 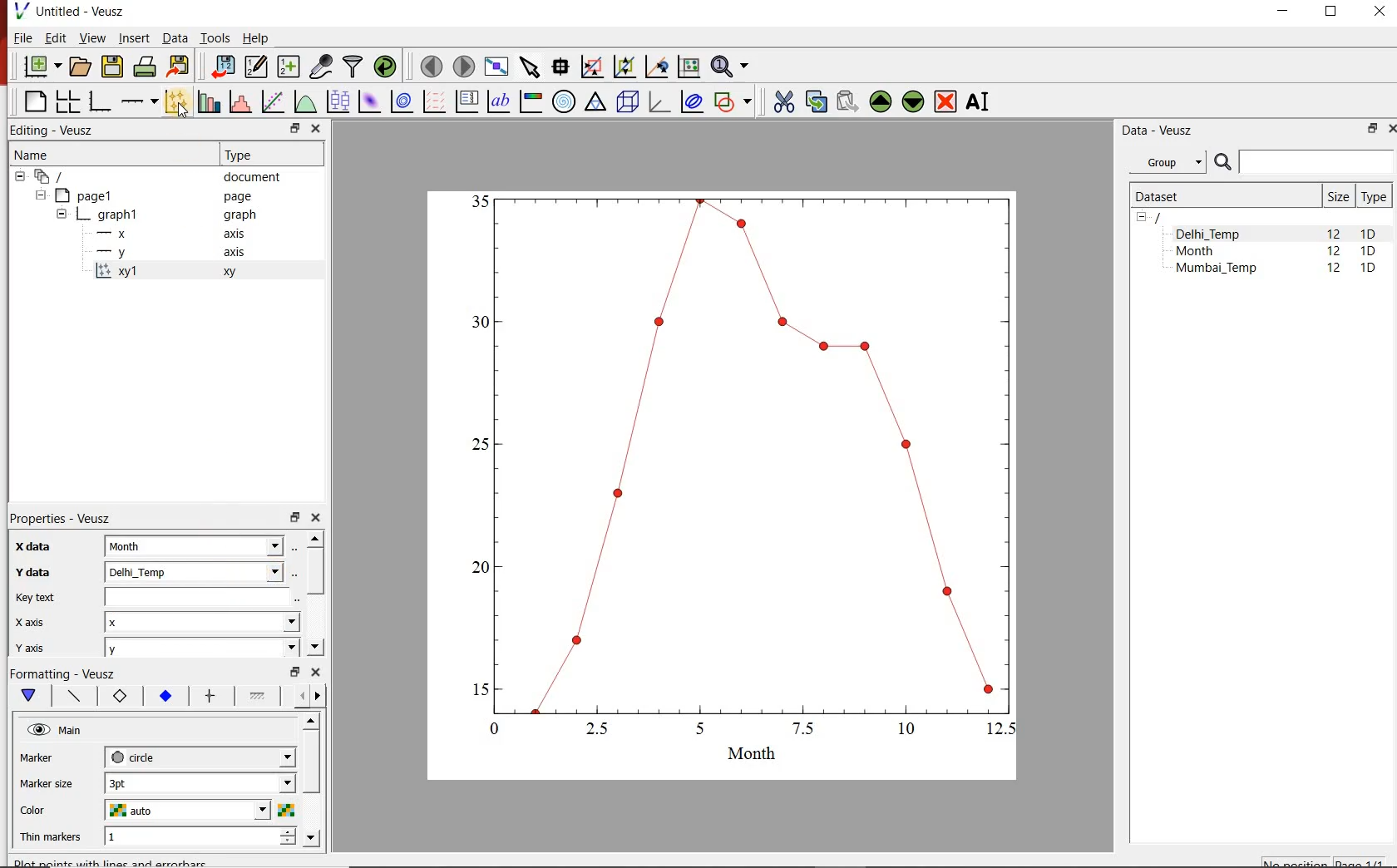 What do you see at coordinates (259, 696) in the screenshot?
I see `Minor ticks` at bounding box center [259, 696].